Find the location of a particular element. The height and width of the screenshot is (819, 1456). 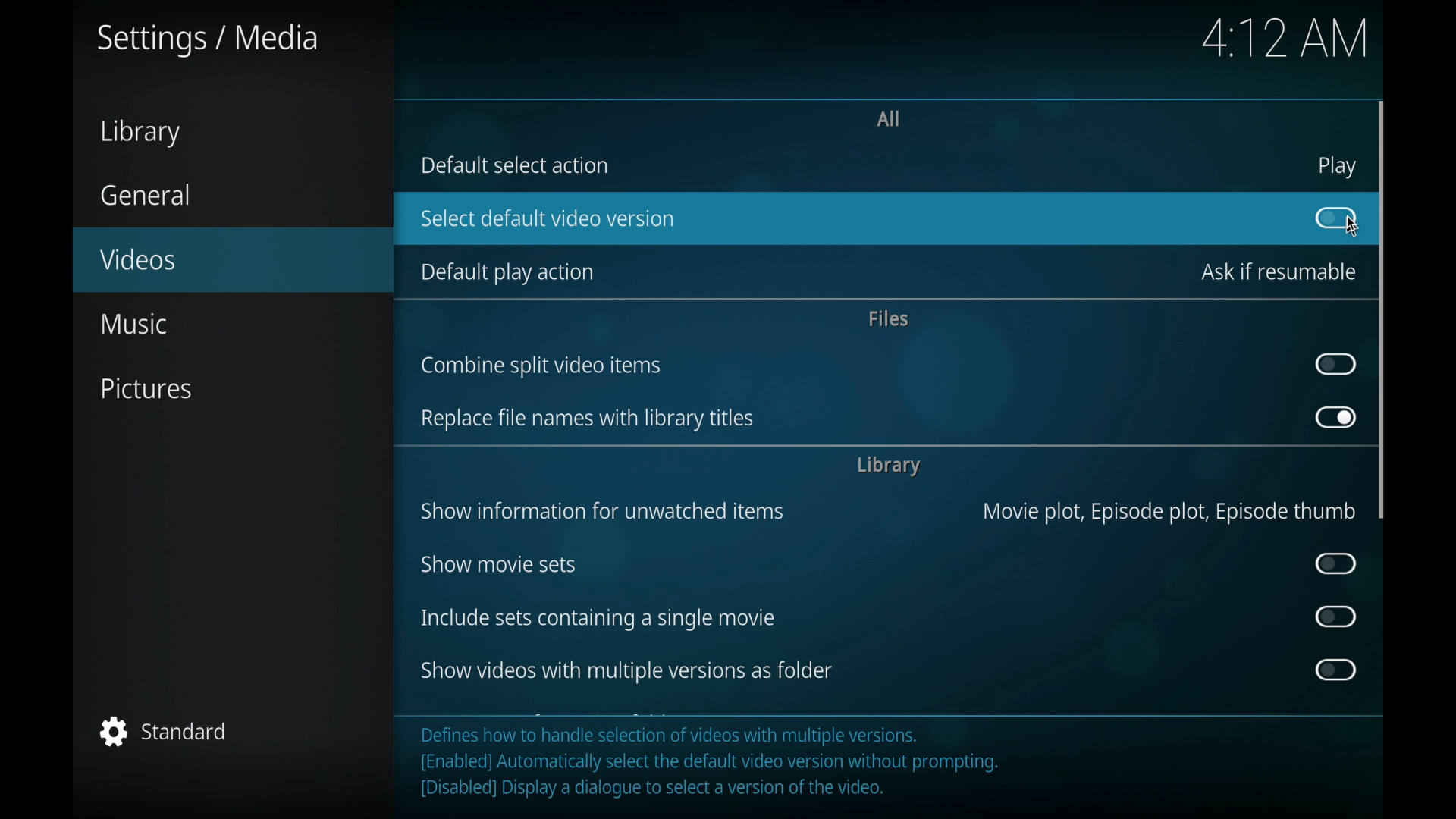

default select action is located at coordinates (516, 165).